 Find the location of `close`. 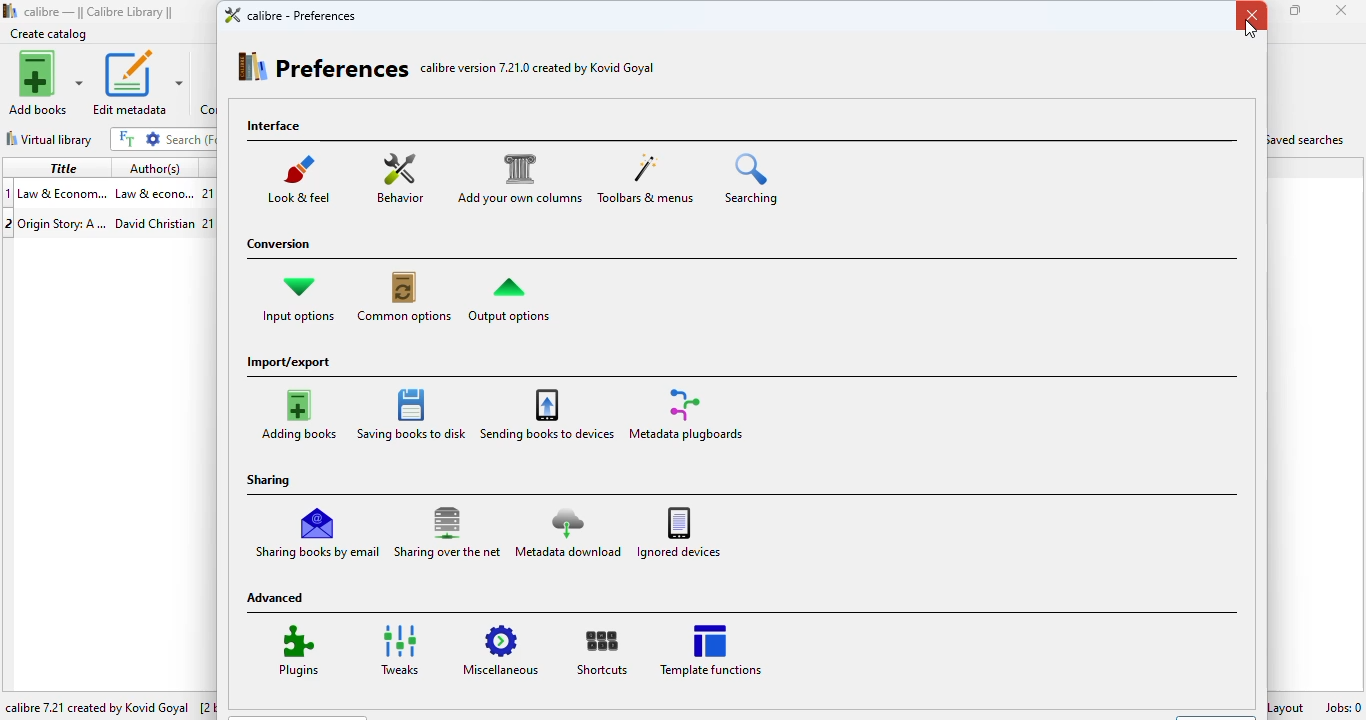

close is located at coordinates (1250, 16).